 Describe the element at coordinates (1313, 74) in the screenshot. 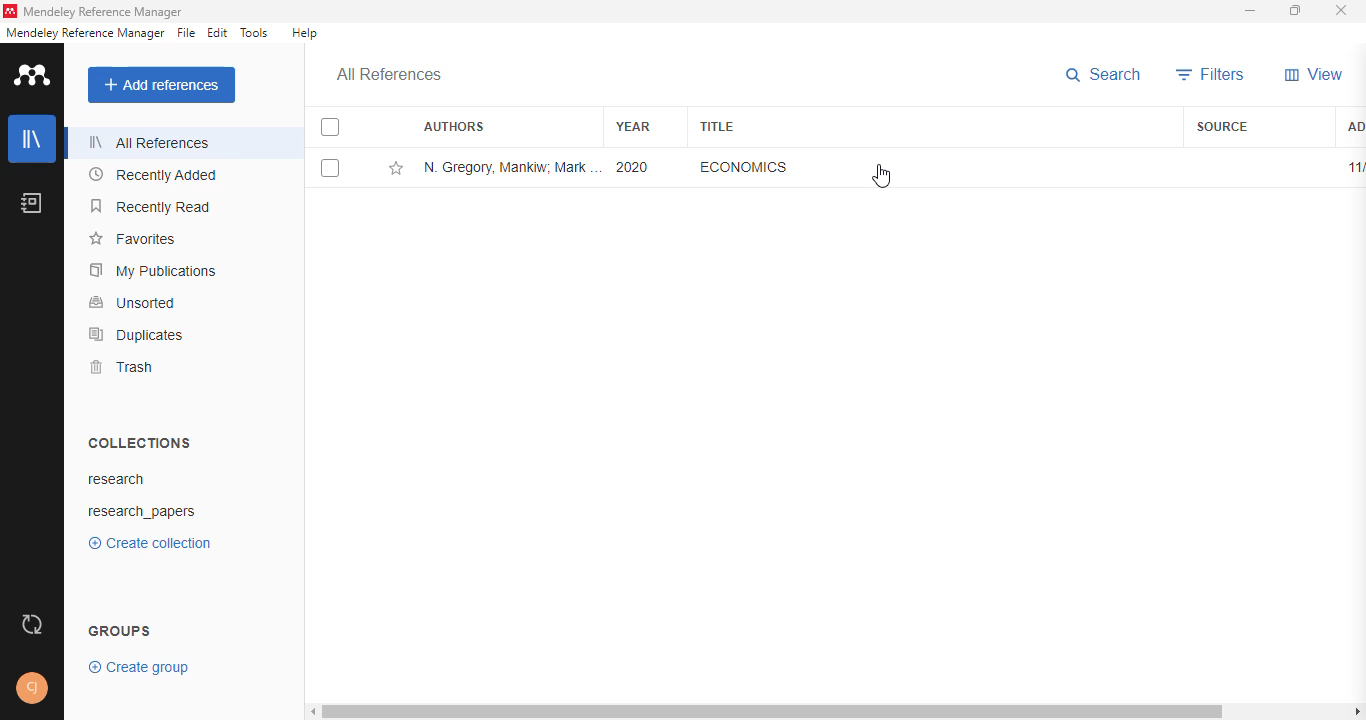

I see `view` at that location.